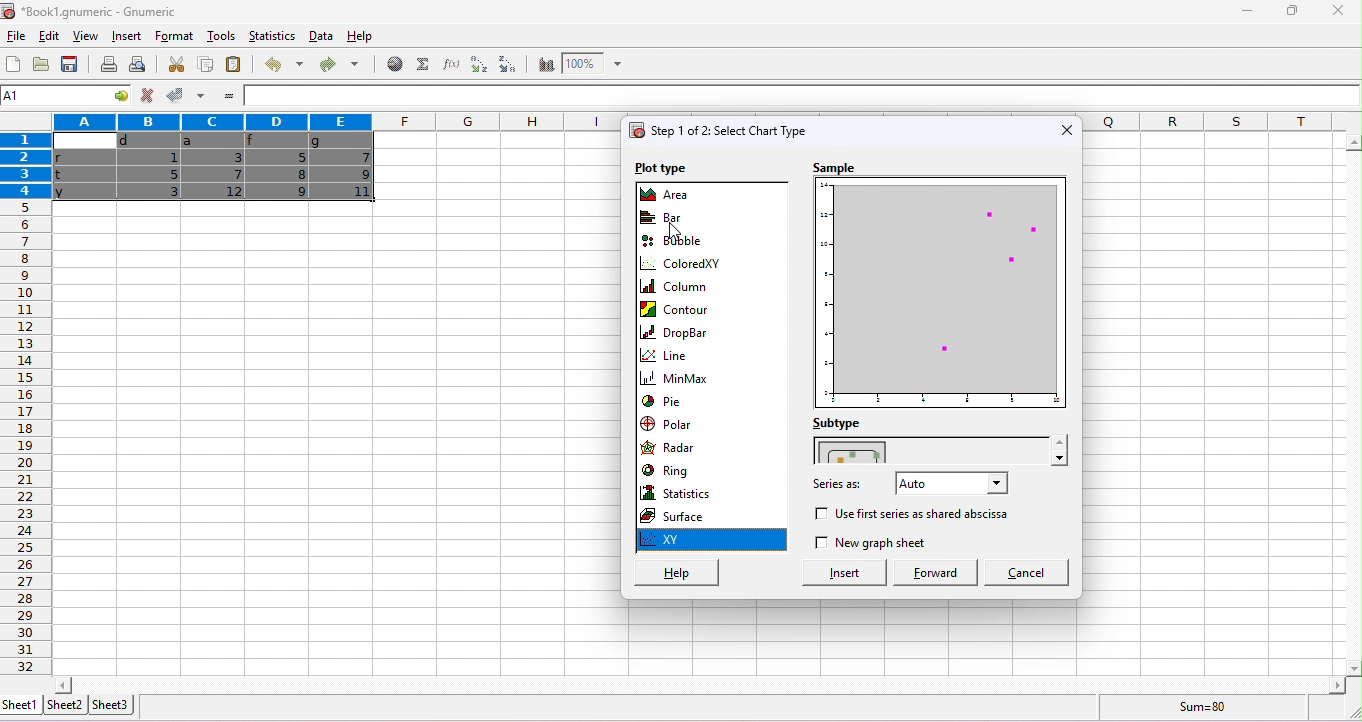  I want to click on insert, so click(834, 572).